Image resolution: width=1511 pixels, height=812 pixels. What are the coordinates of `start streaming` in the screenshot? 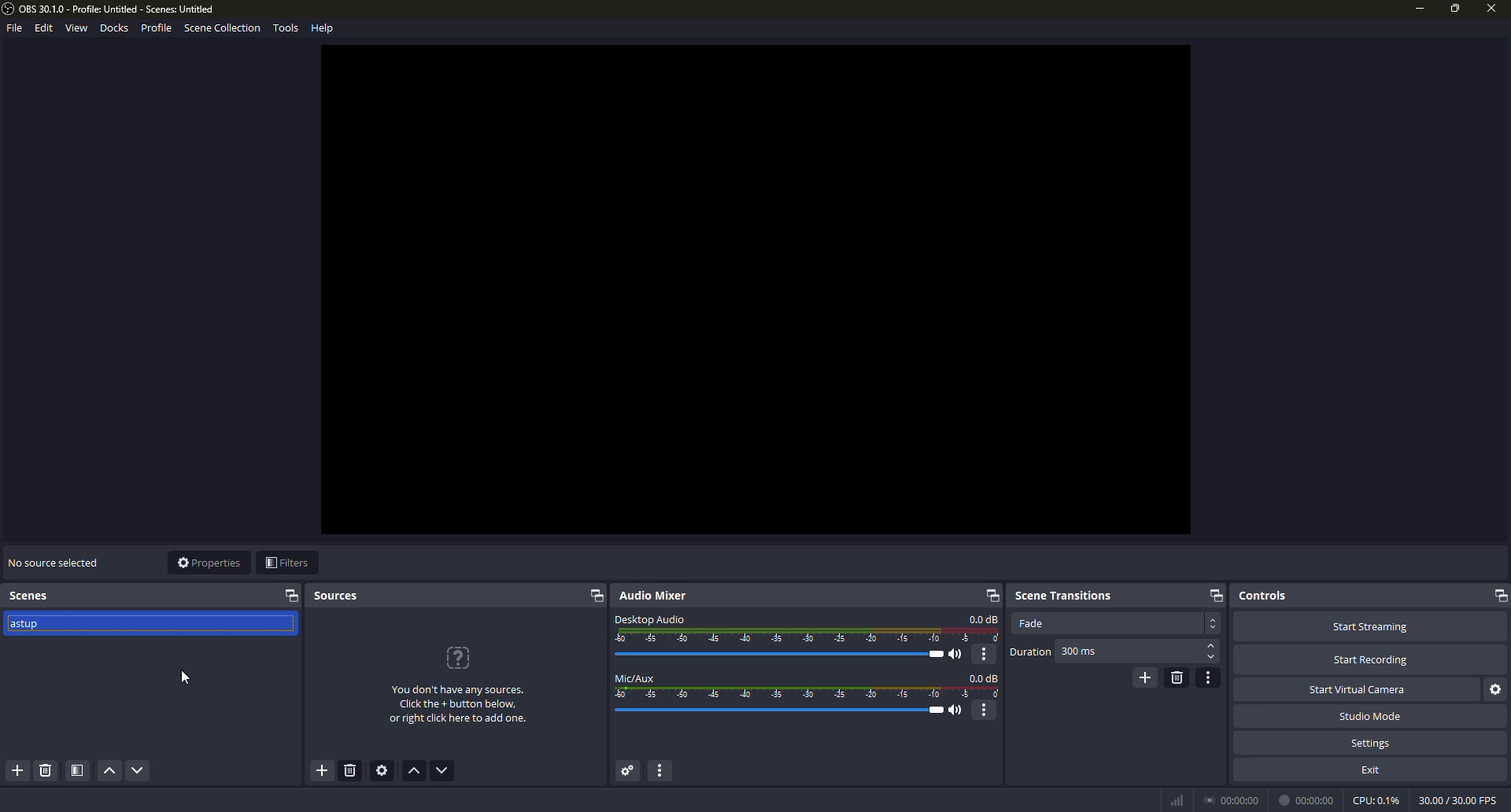 It's located at (1369, 626).